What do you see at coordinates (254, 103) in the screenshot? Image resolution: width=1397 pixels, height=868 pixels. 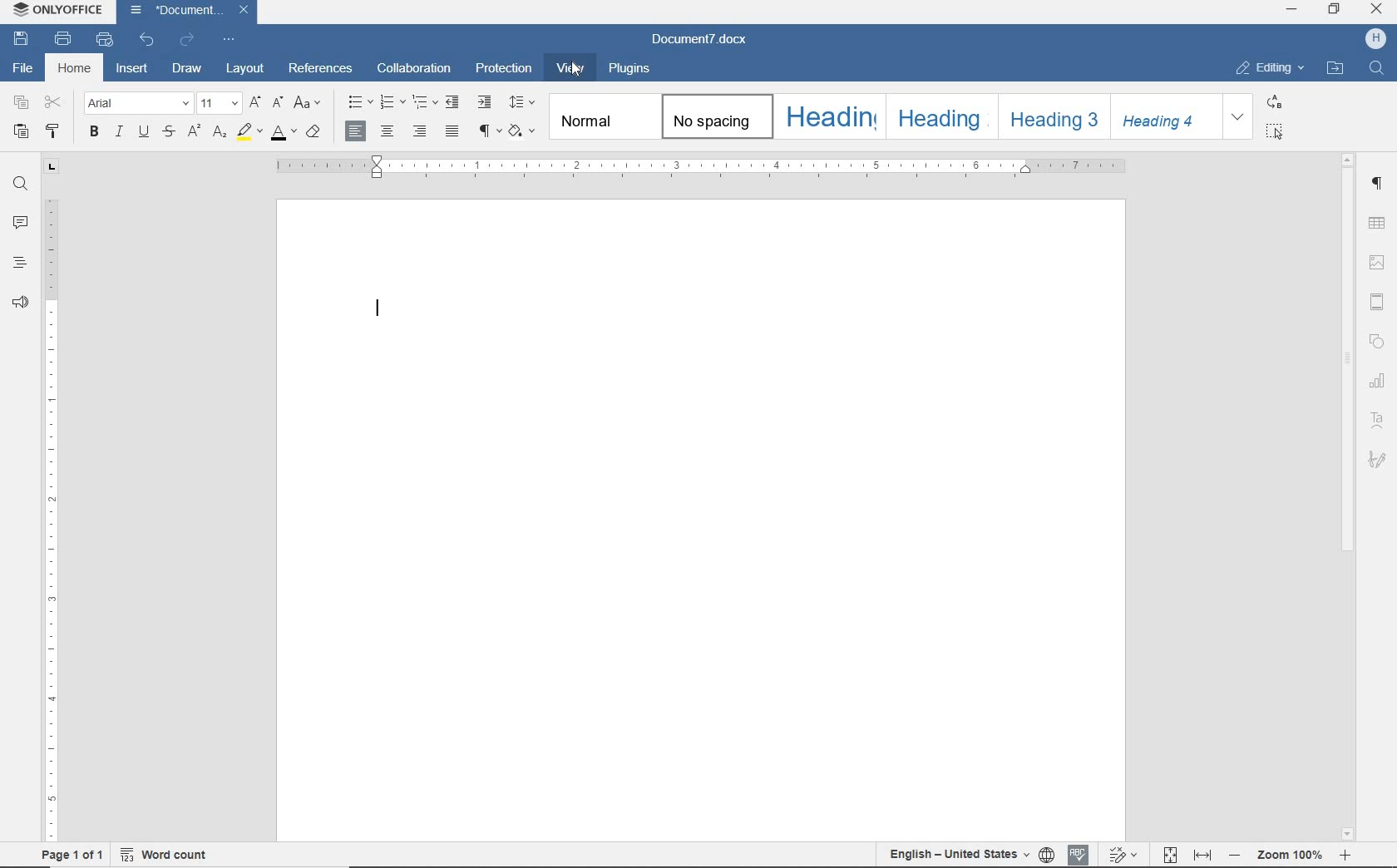 I see `INCREMENT FONT SIZE` at bounding box center [254, 103].